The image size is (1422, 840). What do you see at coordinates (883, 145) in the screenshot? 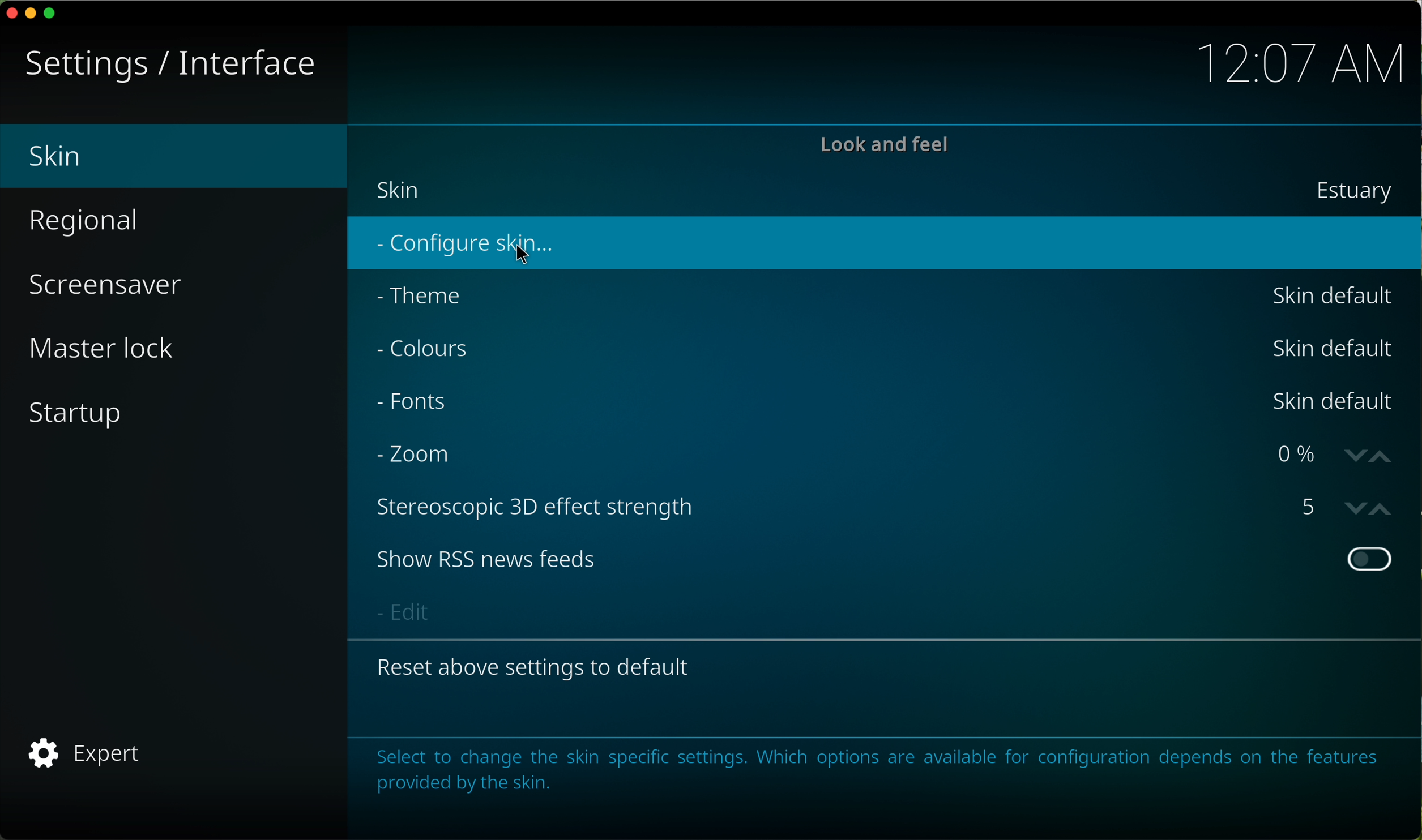
I see `look and feel` at bounding box center [883, 145].